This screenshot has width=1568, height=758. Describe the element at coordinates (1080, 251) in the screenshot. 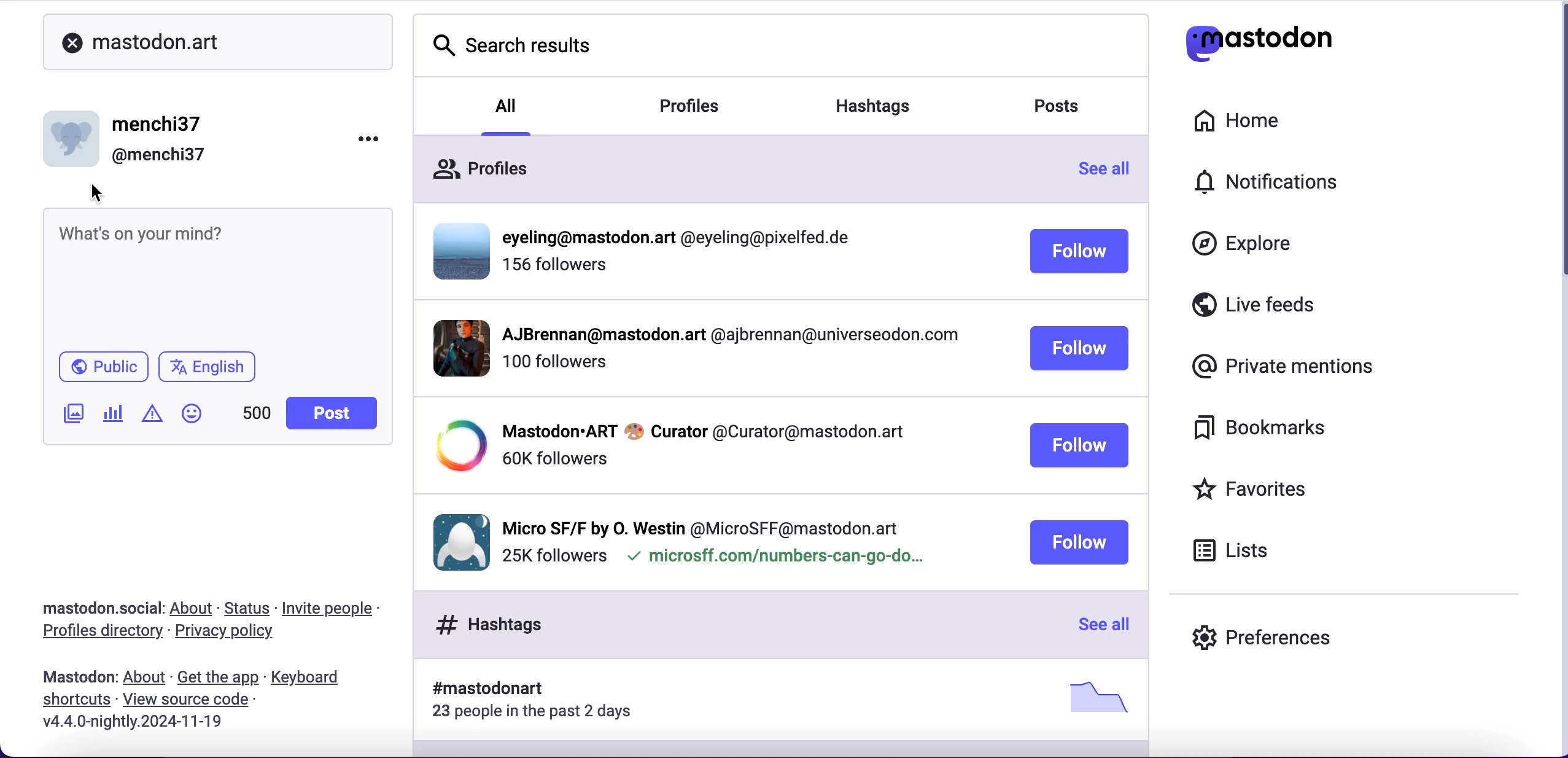

I see `follow` at that location.